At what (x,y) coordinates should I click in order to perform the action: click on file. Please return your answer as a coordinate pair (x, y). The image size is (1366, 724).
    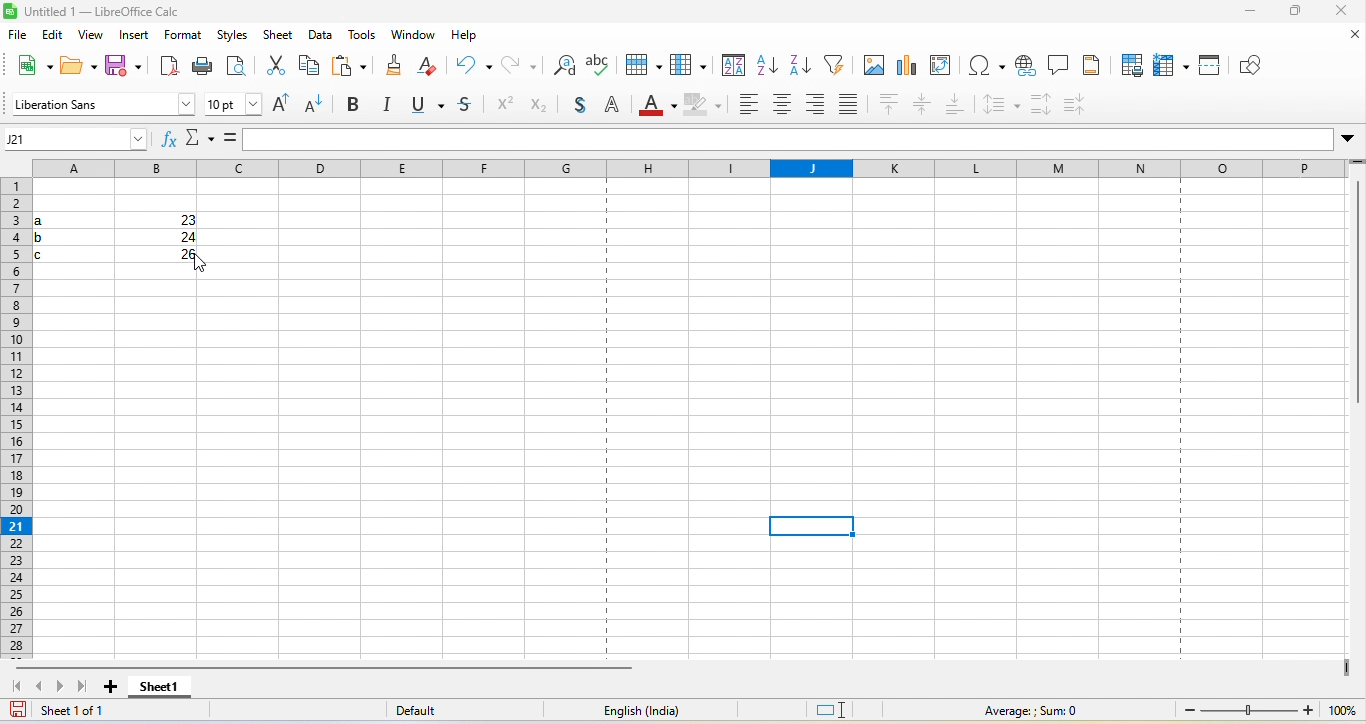
    Looking at the image, I should click on (23, 36).